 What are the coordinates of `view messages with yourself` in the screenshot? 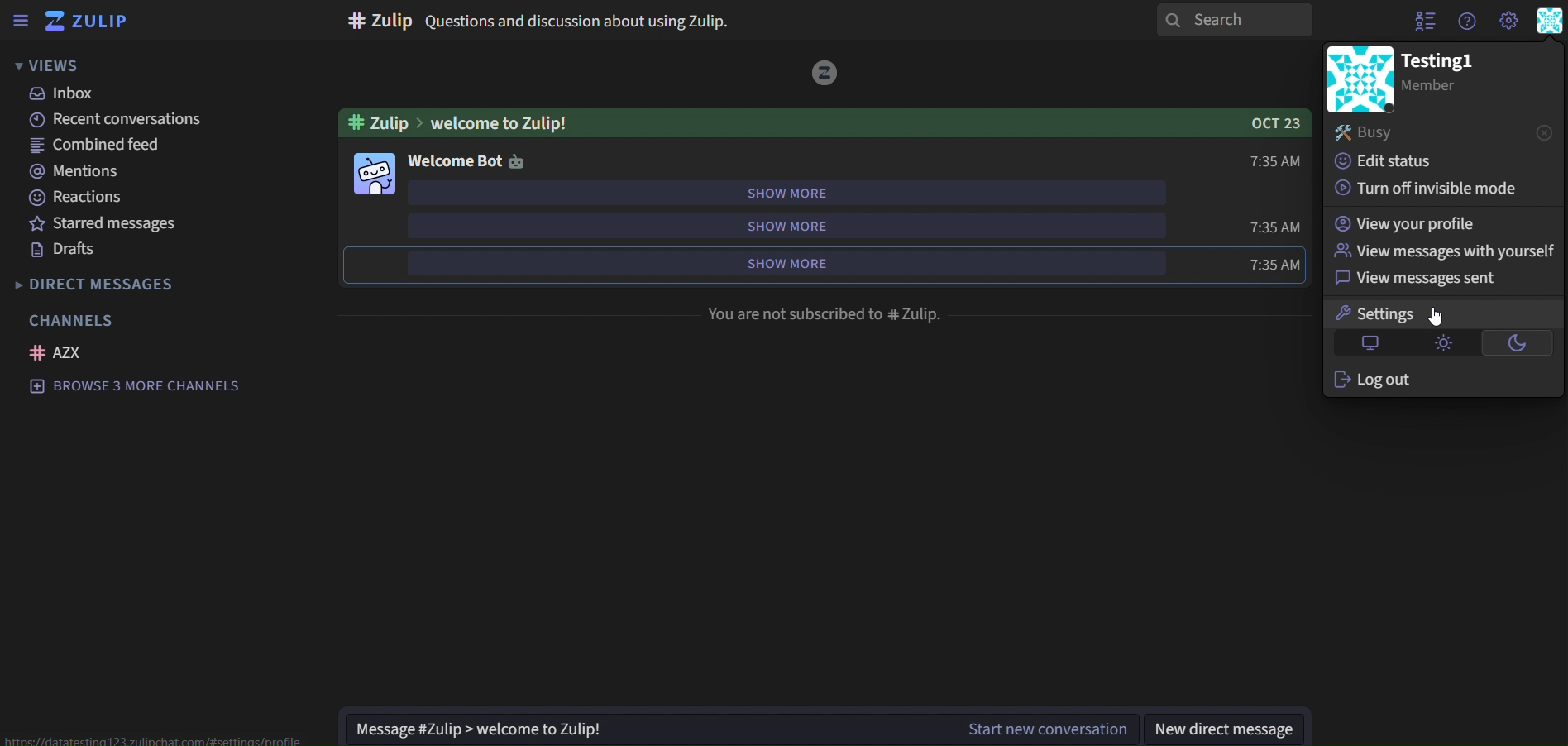 It's located at (1440, 251).